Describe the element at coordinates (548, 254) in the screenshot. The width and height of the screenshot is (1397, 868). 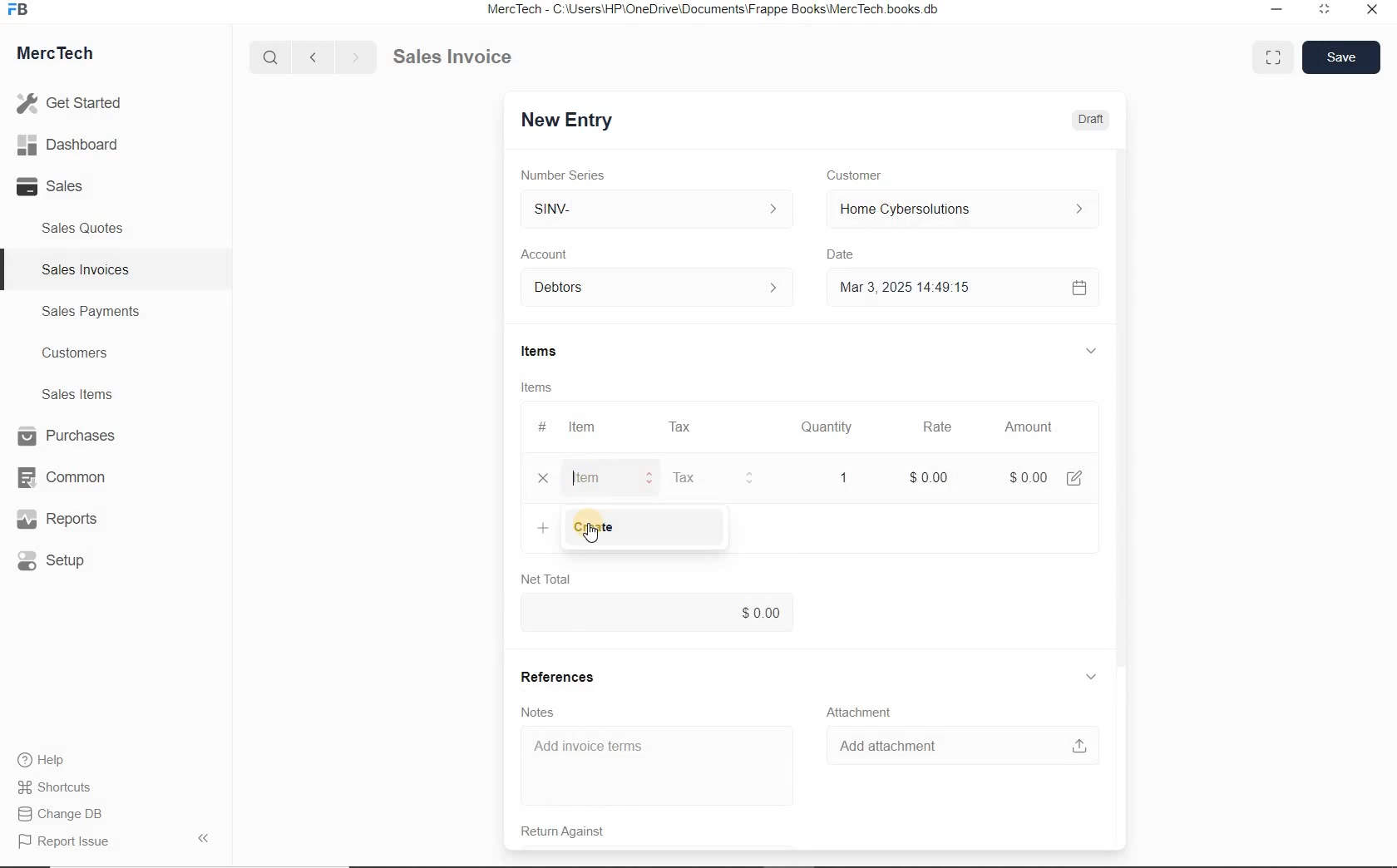
I see `Account` at that location.